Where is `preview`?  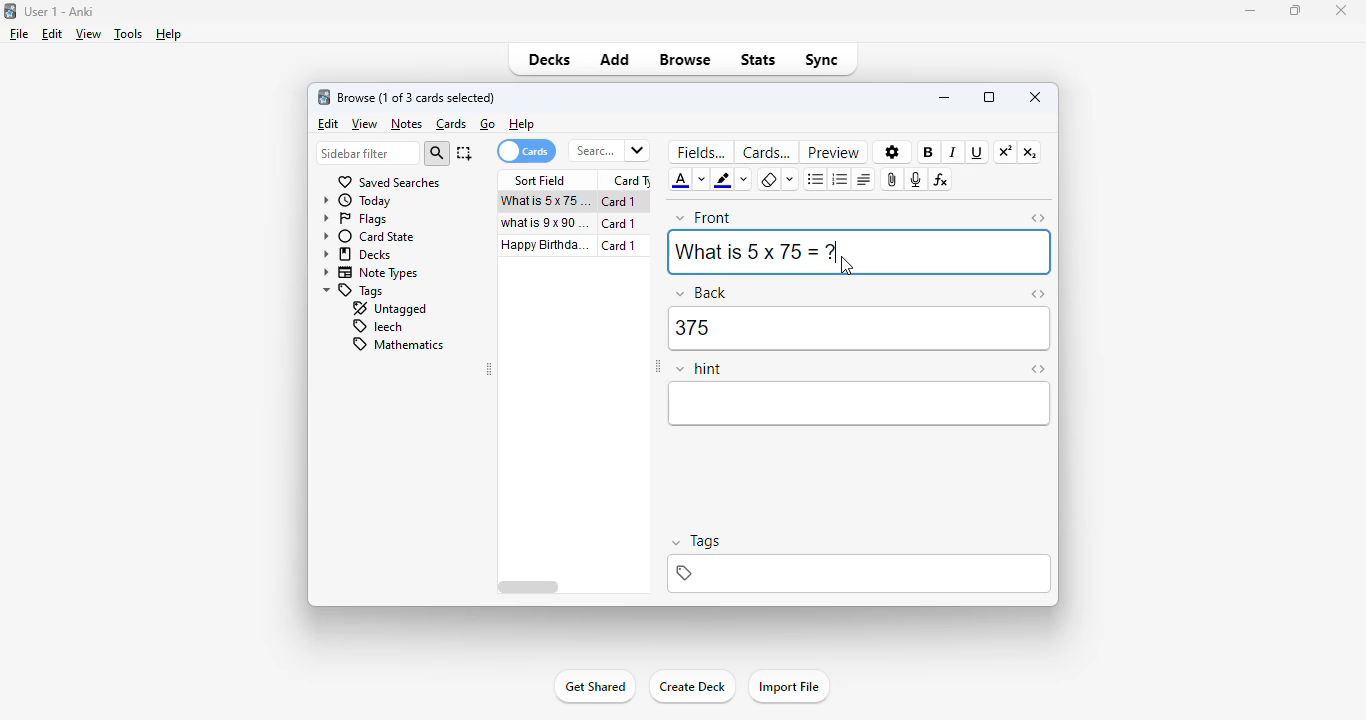 preview is located at coordinates (835, 152).